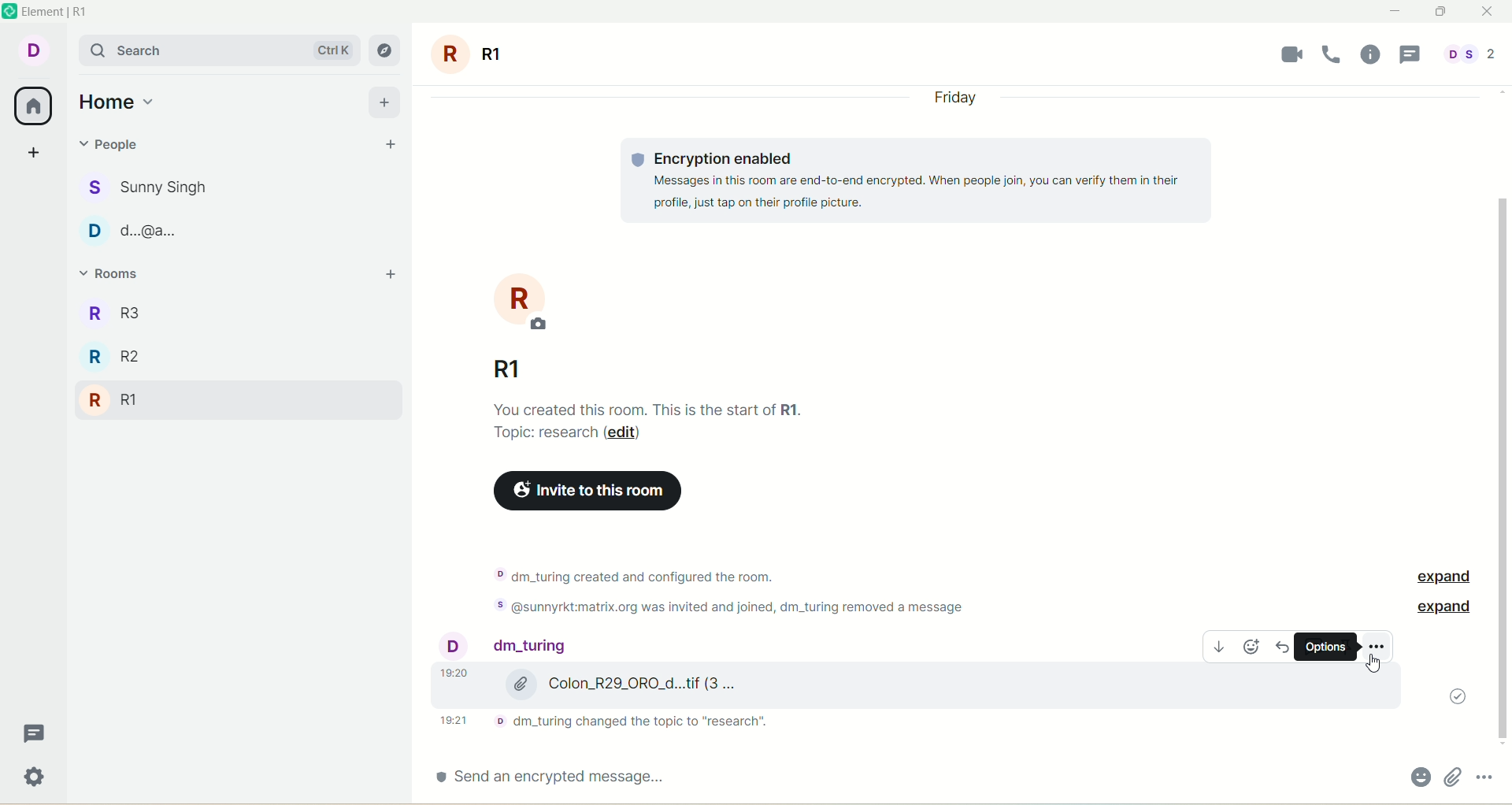 This screenshot has height=805, width=1512. I want to click on room, so click(532, 304).